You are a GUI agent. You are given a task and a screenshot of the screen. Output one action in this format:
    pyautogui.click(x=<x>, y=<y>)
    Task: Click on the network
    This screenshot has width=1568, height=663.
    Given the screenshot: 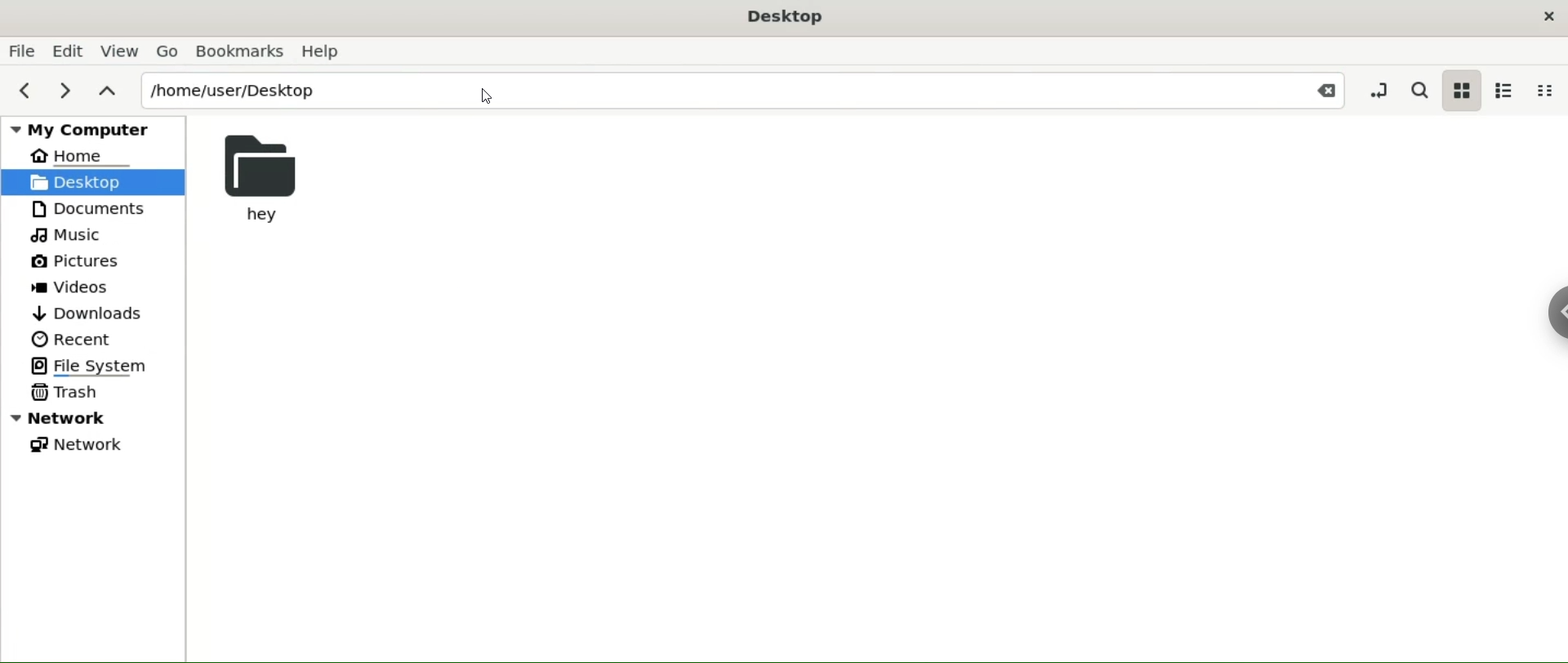 What is the action you would take?
    pyautogui.click(x=79, y=444)
    